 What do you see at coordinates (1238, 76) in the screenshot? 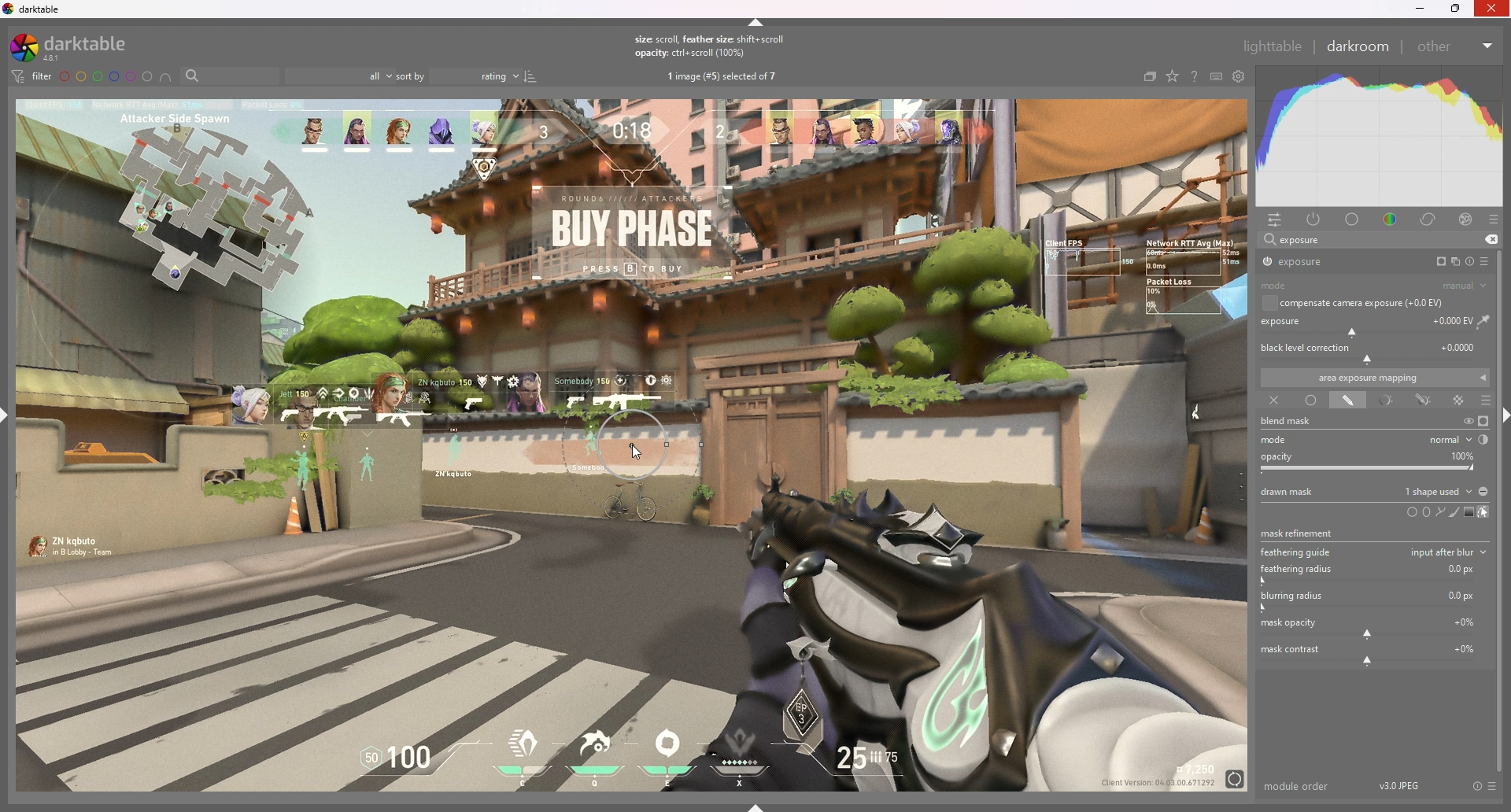
I see `show global preference` at bounding box center [1238, 76].